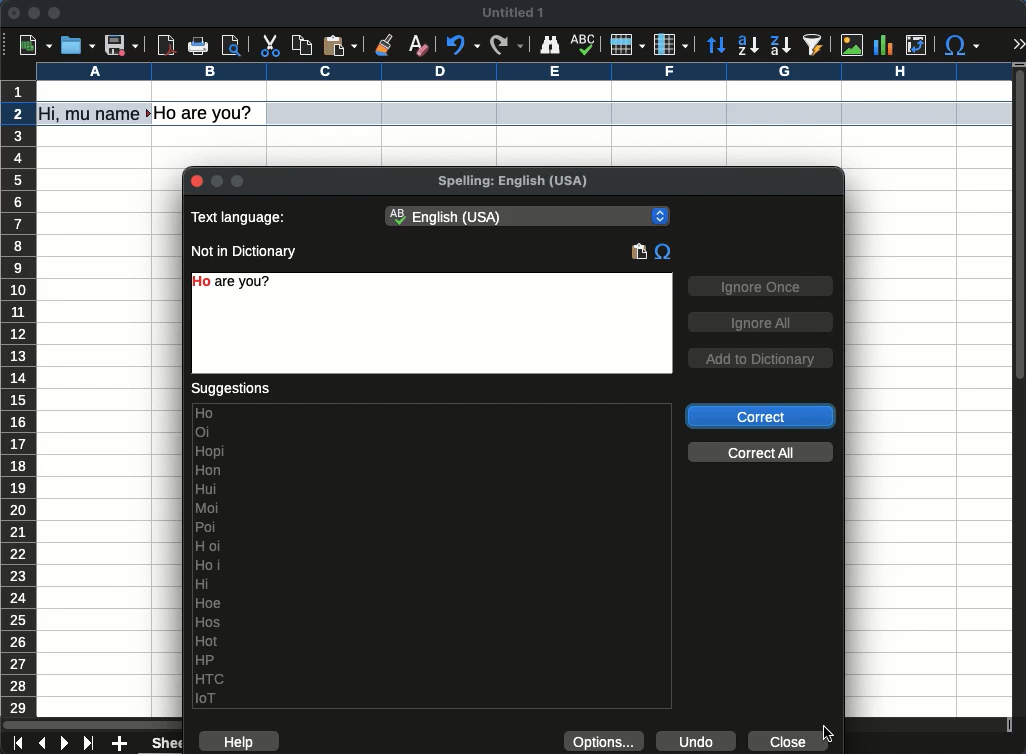 The image size is (1026, 754). What do you see at coordinates (1020, 391) in the screenshot?
I see `scroll` at bounding box center [1020, 391].